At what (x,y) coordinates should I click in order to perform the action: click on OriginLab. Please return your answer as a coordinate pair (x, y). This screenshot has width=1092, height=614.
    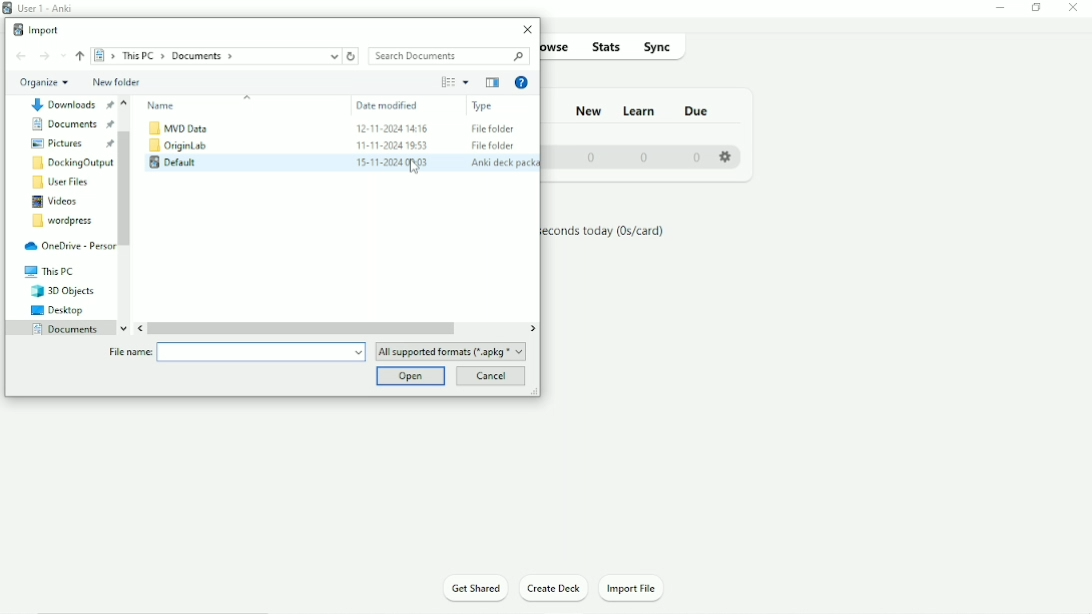
    Looking at the image, I should click on (178, 145).